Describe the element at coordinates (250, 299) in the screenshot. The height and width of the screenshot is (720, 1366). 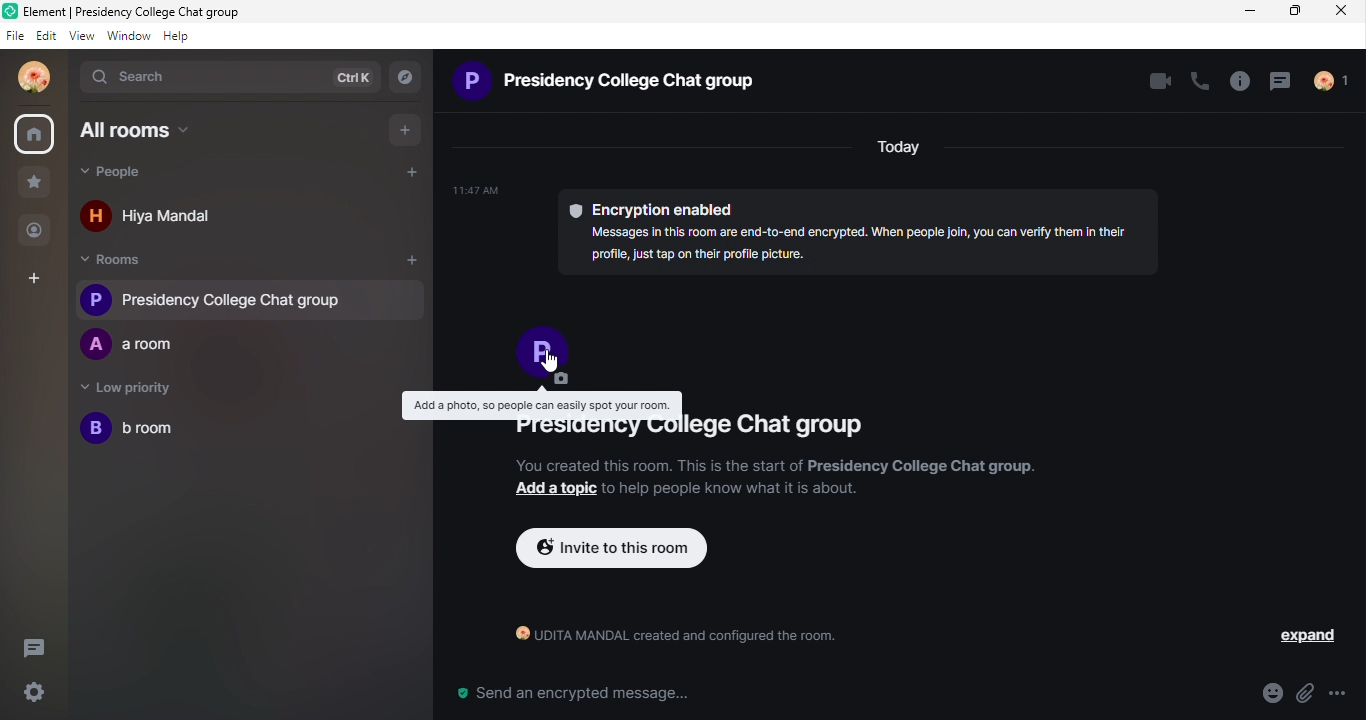
I see `presidency collage chat group` at that location.